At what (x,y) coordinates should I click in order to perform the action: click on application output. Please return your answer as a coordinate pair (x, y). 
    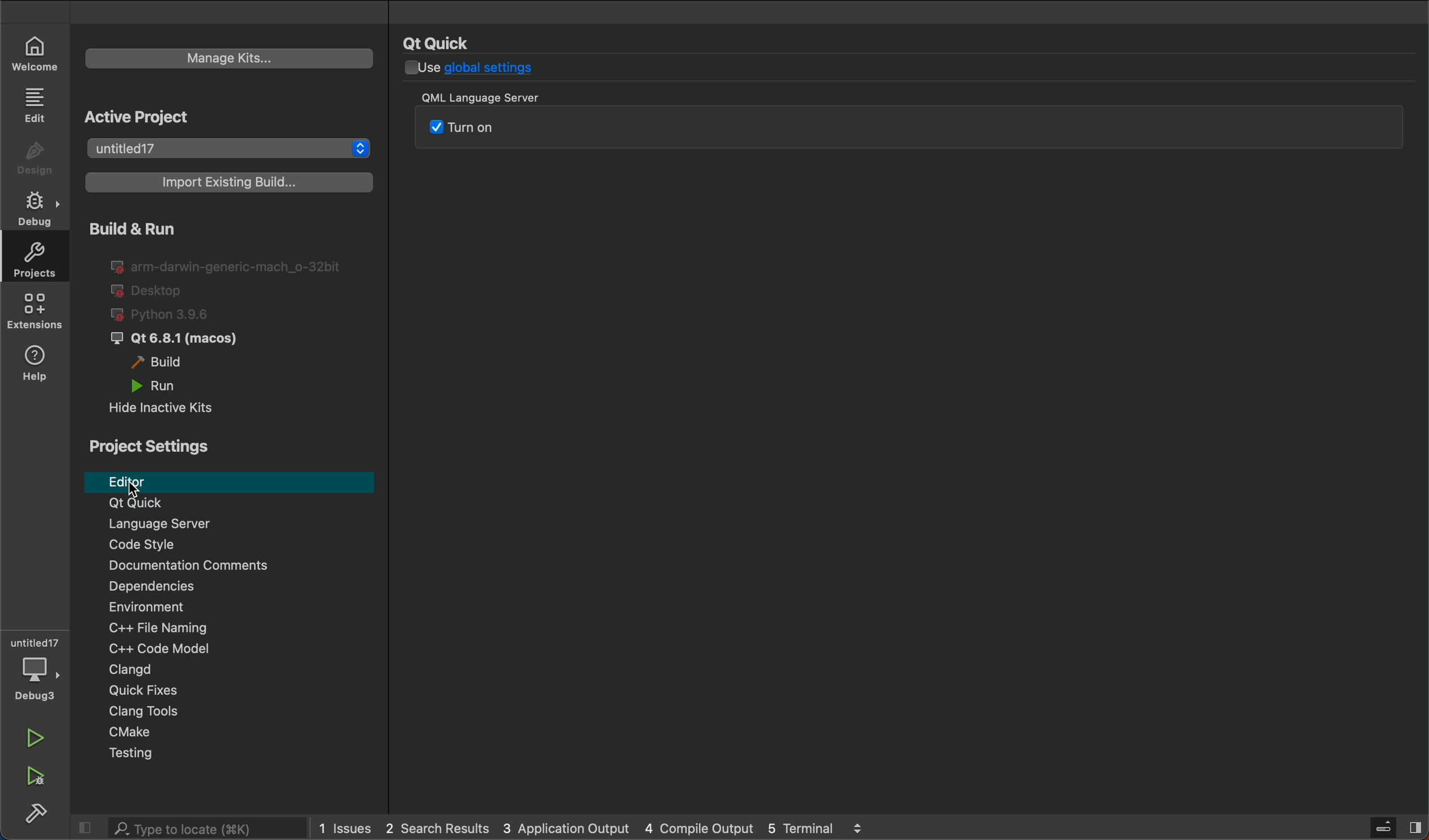
    Looking at the image, I should click on (566, 829).